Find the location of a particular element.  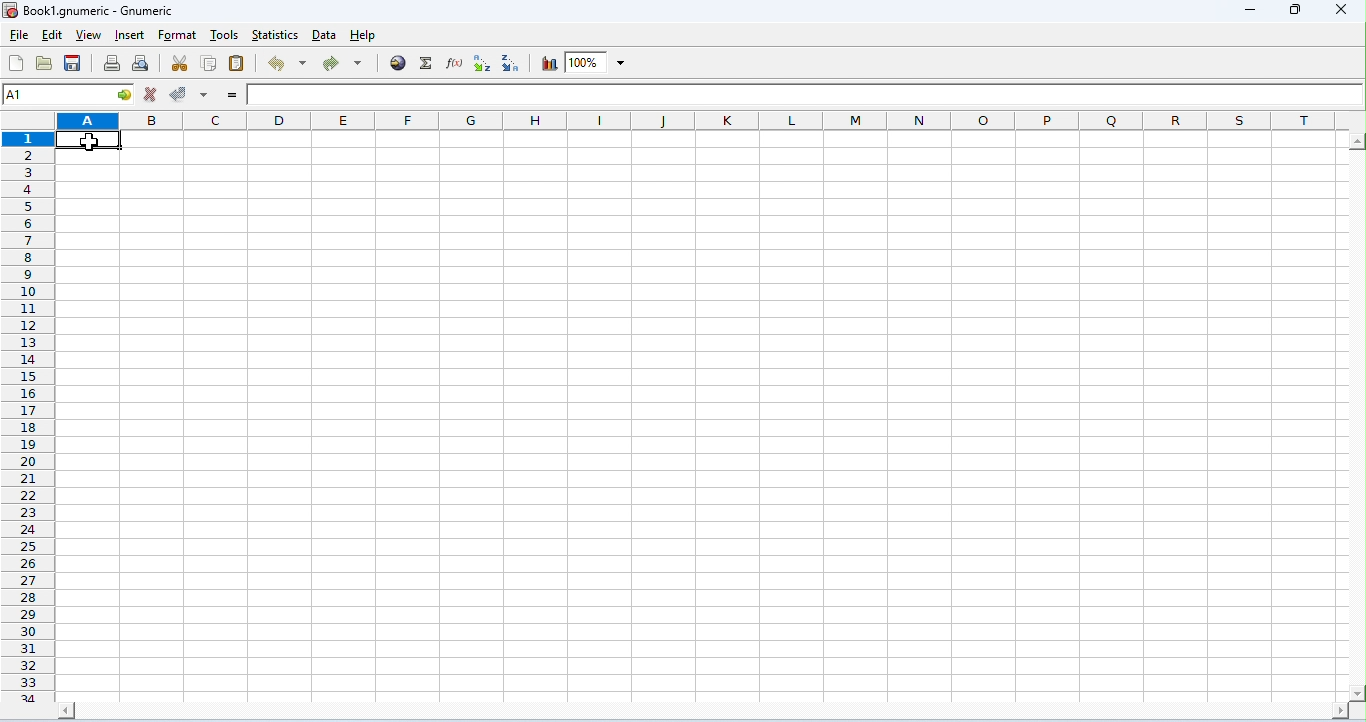

file is located at coordinates (19, 36).